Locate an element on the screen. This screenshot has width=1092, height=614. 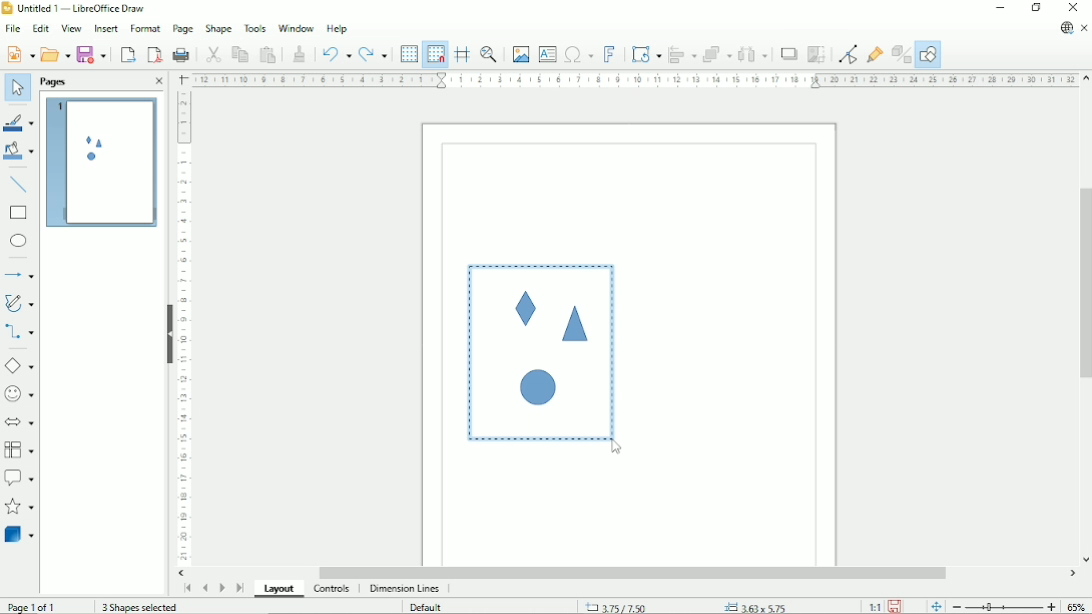
Help is located at coordinates (337, 29).